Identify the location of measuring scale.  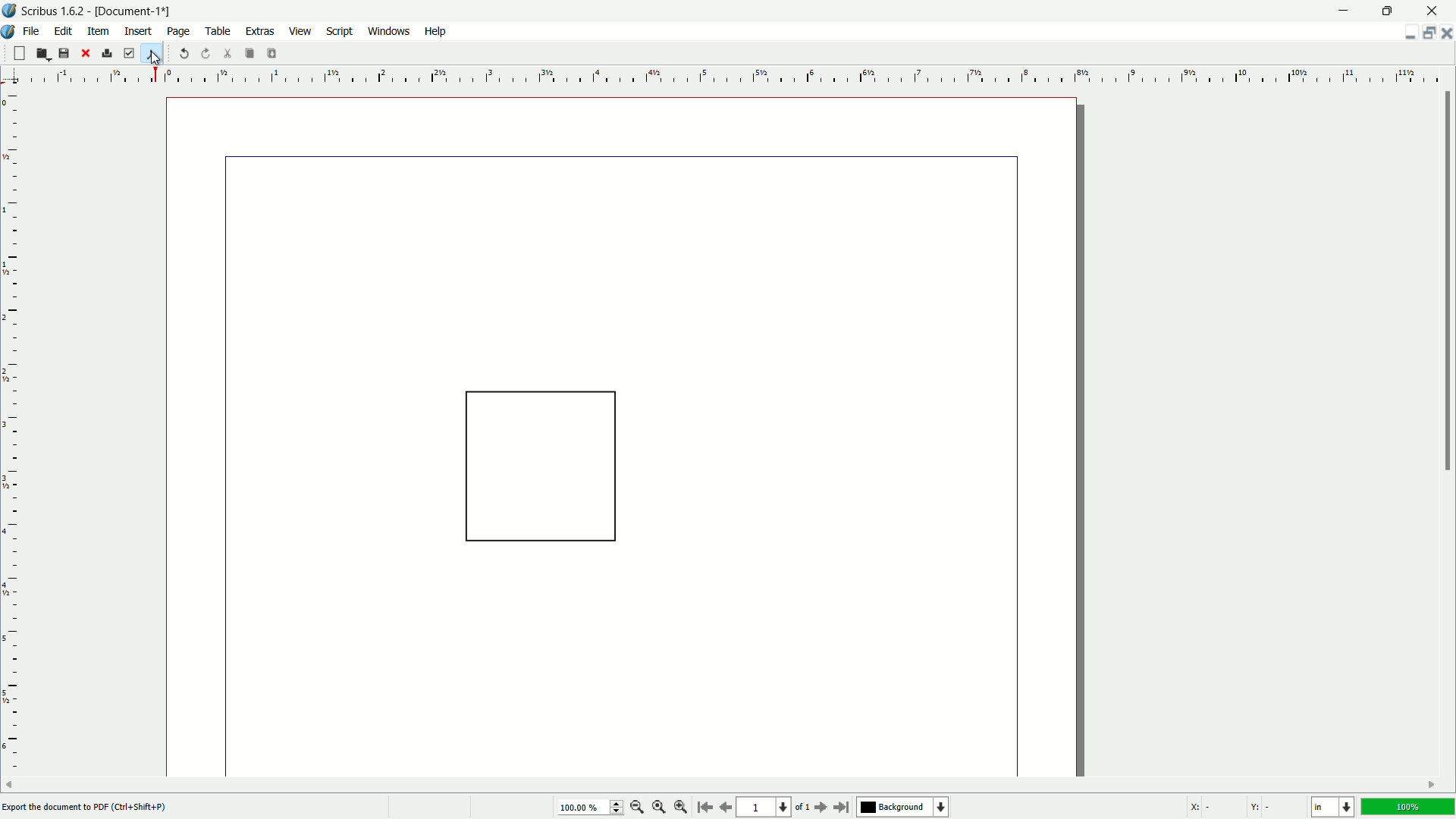
(15, 421).